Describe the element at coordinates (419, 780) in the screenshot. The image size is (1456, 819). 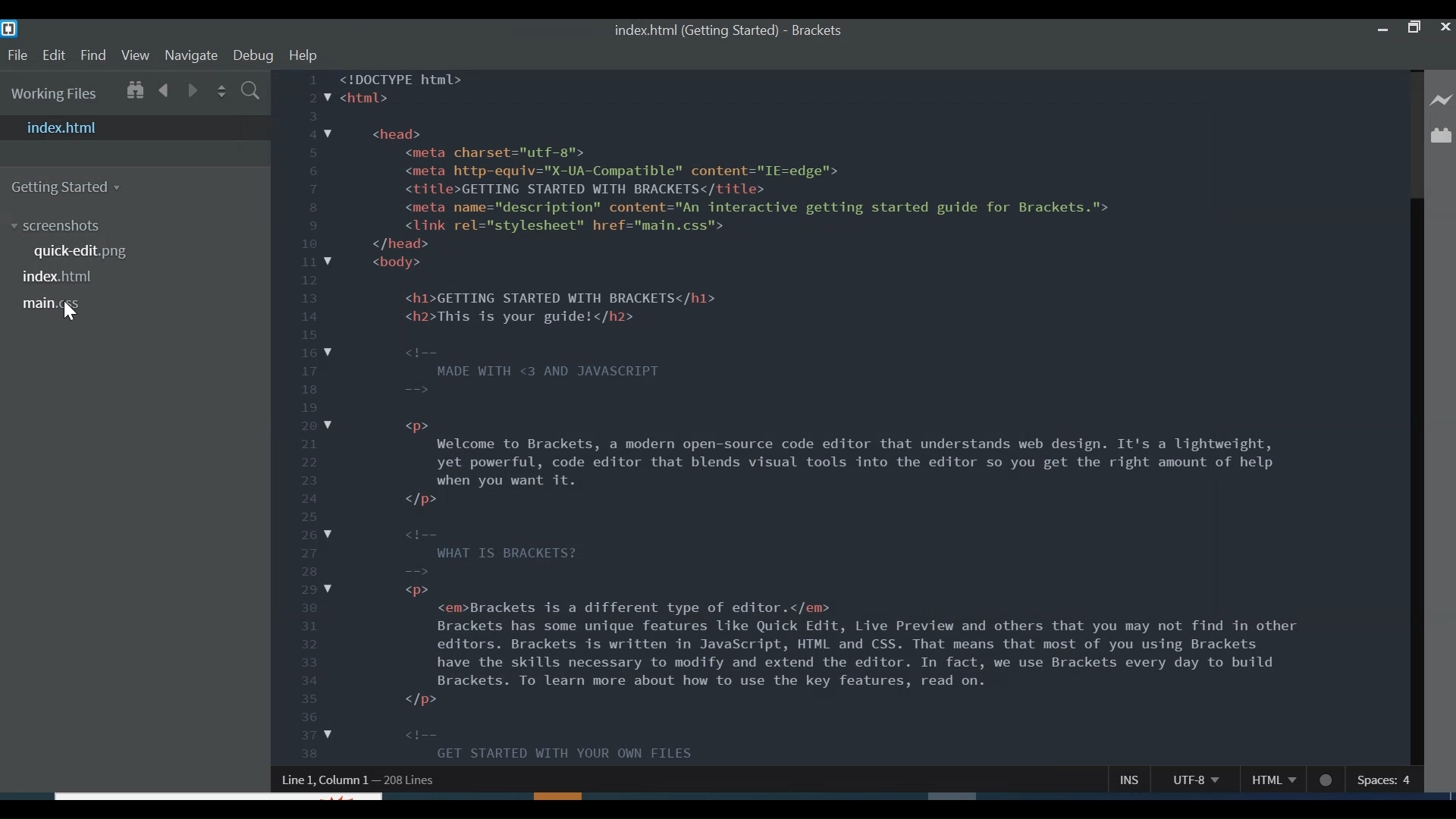
I see `Line Position` at that location.